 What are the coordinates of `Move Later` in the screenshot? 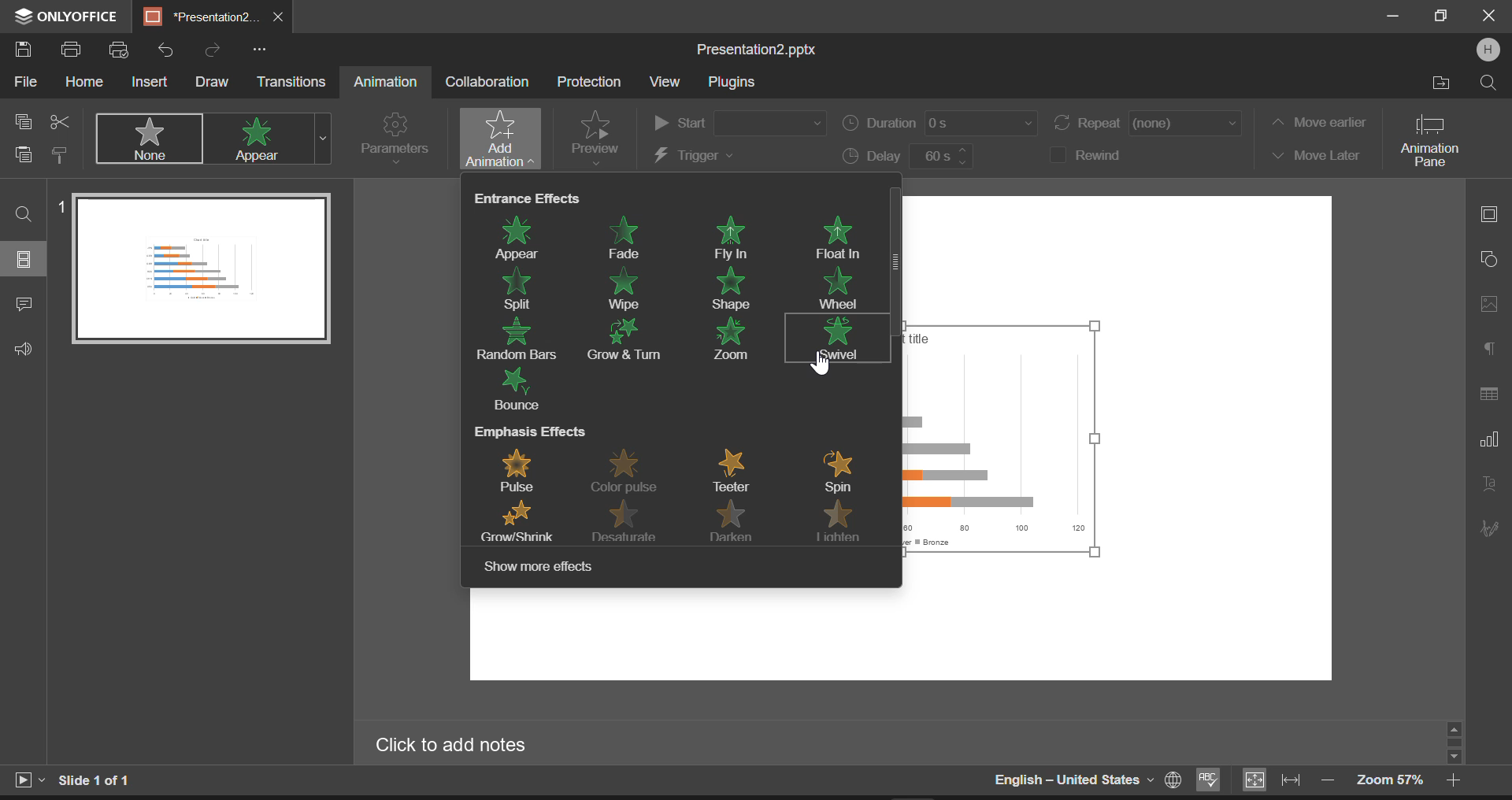 It's located at (1315, 156).